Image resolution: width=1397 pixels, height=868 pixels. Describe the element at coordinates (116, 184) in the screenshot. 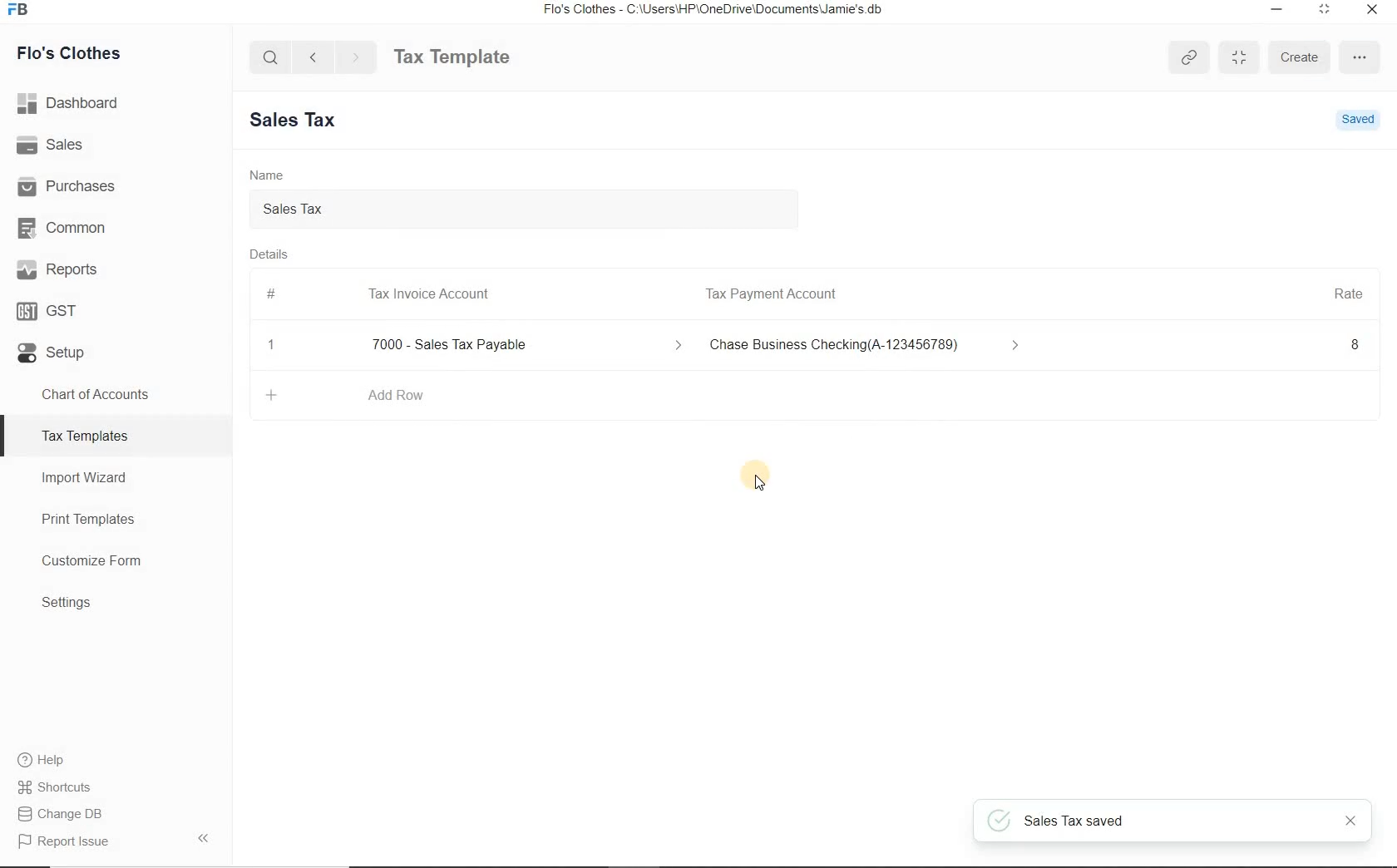

I see `Purchases` at that location.